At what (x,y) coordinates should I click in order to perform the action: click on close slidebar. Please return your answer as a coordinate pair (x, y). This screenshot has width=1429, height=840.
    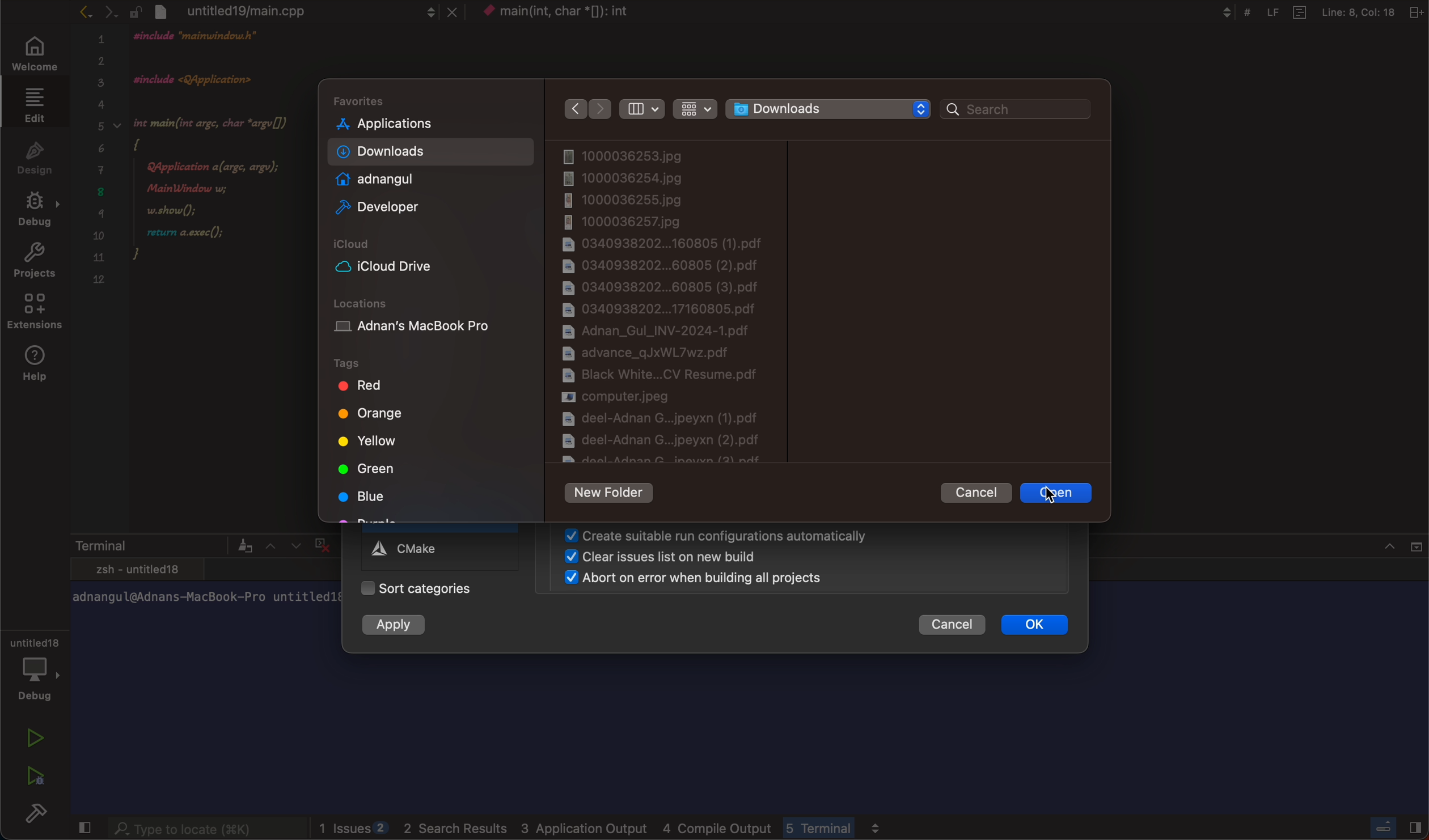
    Looking at the image, I should click on (80, 827).